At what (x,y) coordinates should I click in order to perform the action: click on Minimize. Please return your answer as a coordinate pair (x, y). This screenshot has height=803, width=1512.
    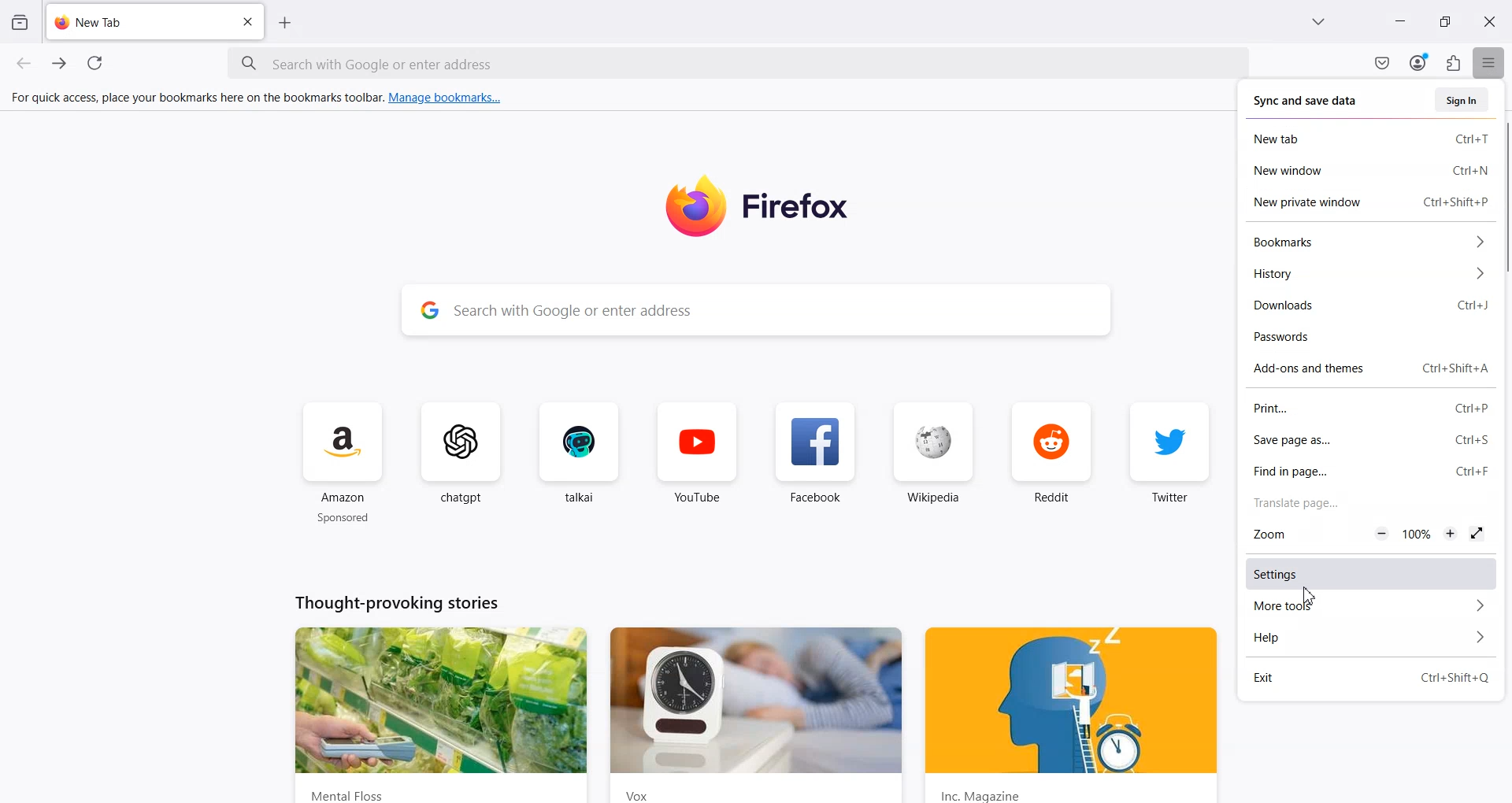
    Looking at the image, I should click on (1399, 23).